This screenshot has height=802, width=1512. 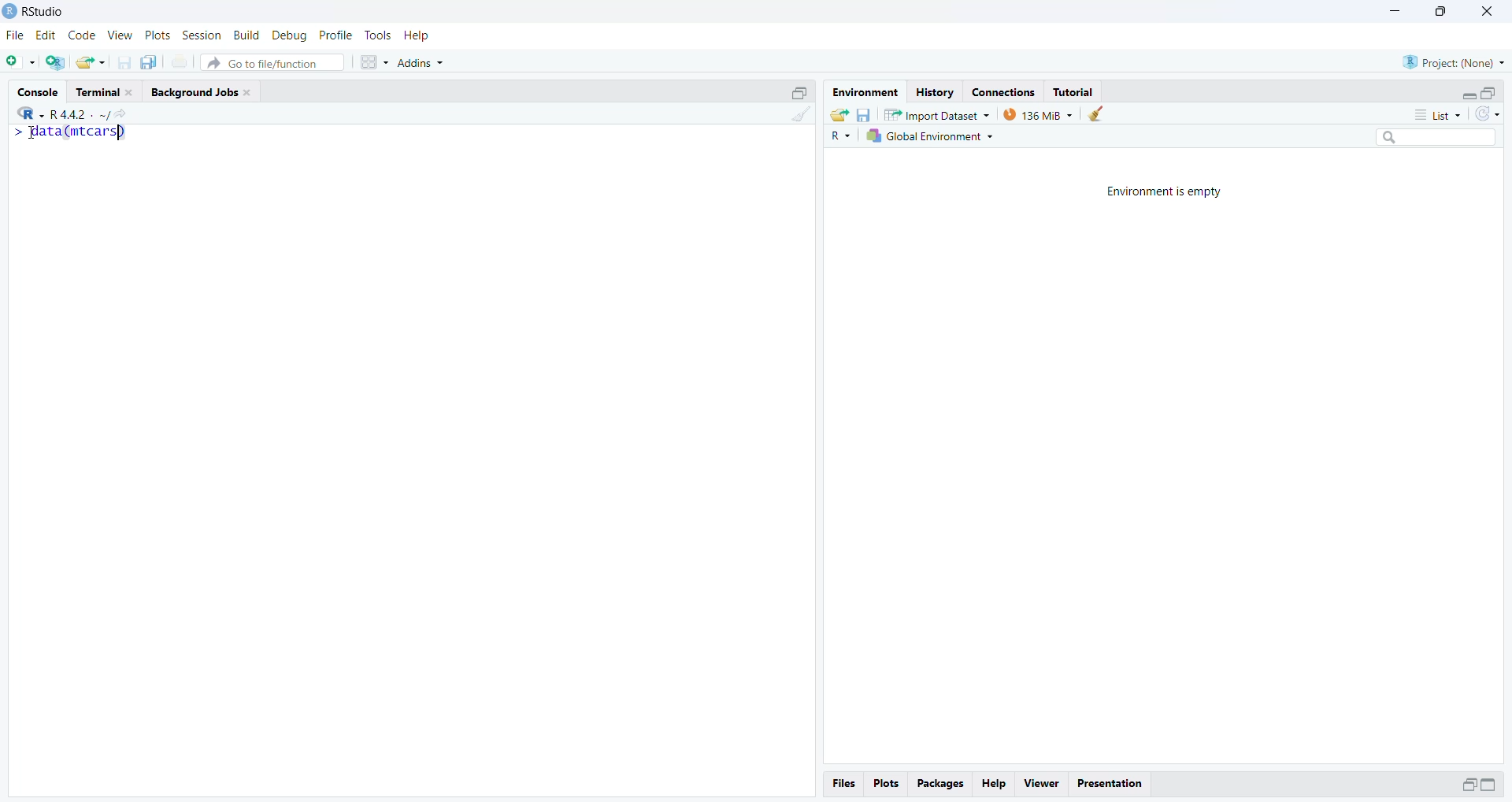 I want to click on Load workspace, so click(x=837, y=114).